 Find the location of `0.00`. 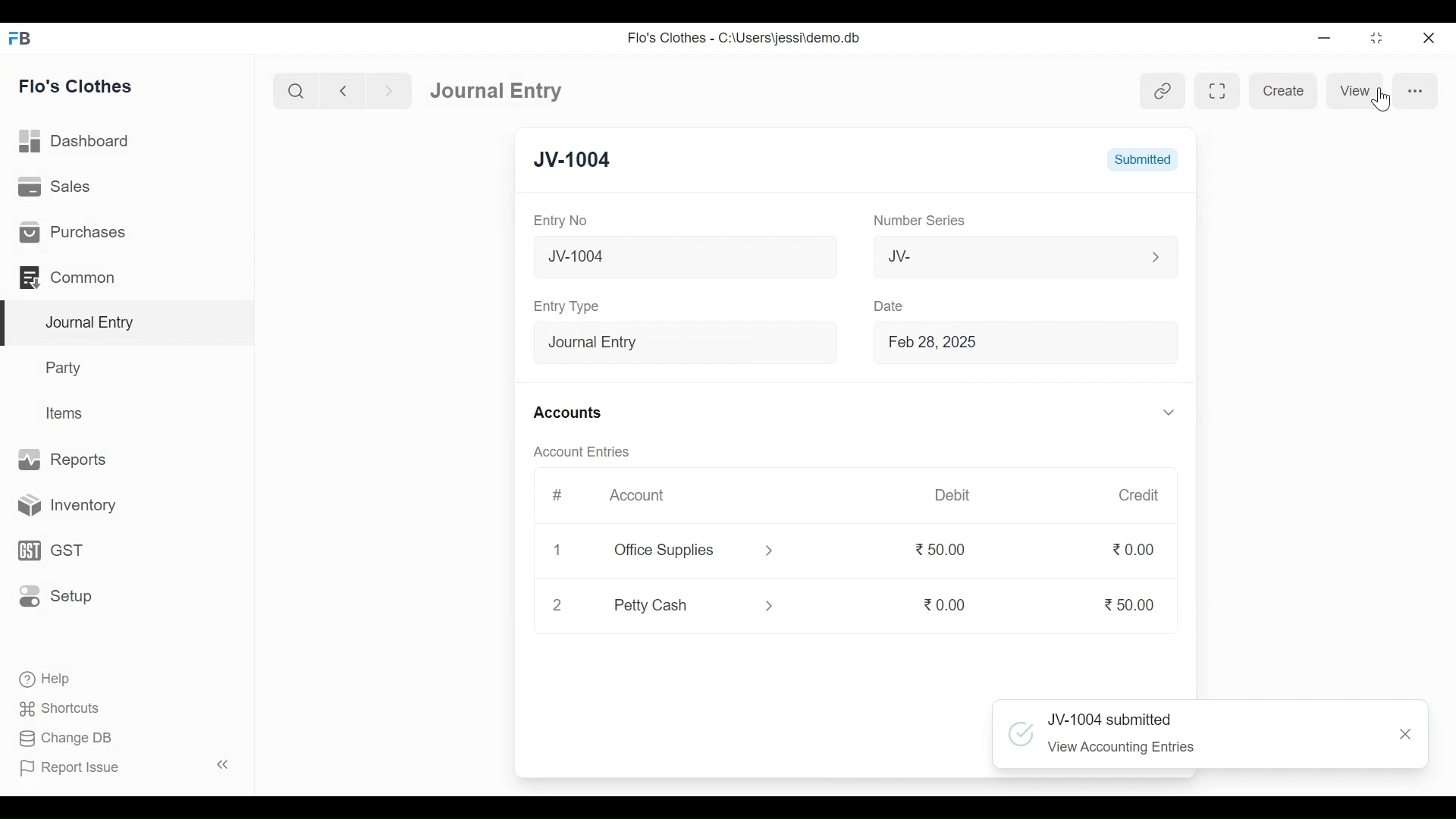

0.00 is located at coordinates (938, 604).